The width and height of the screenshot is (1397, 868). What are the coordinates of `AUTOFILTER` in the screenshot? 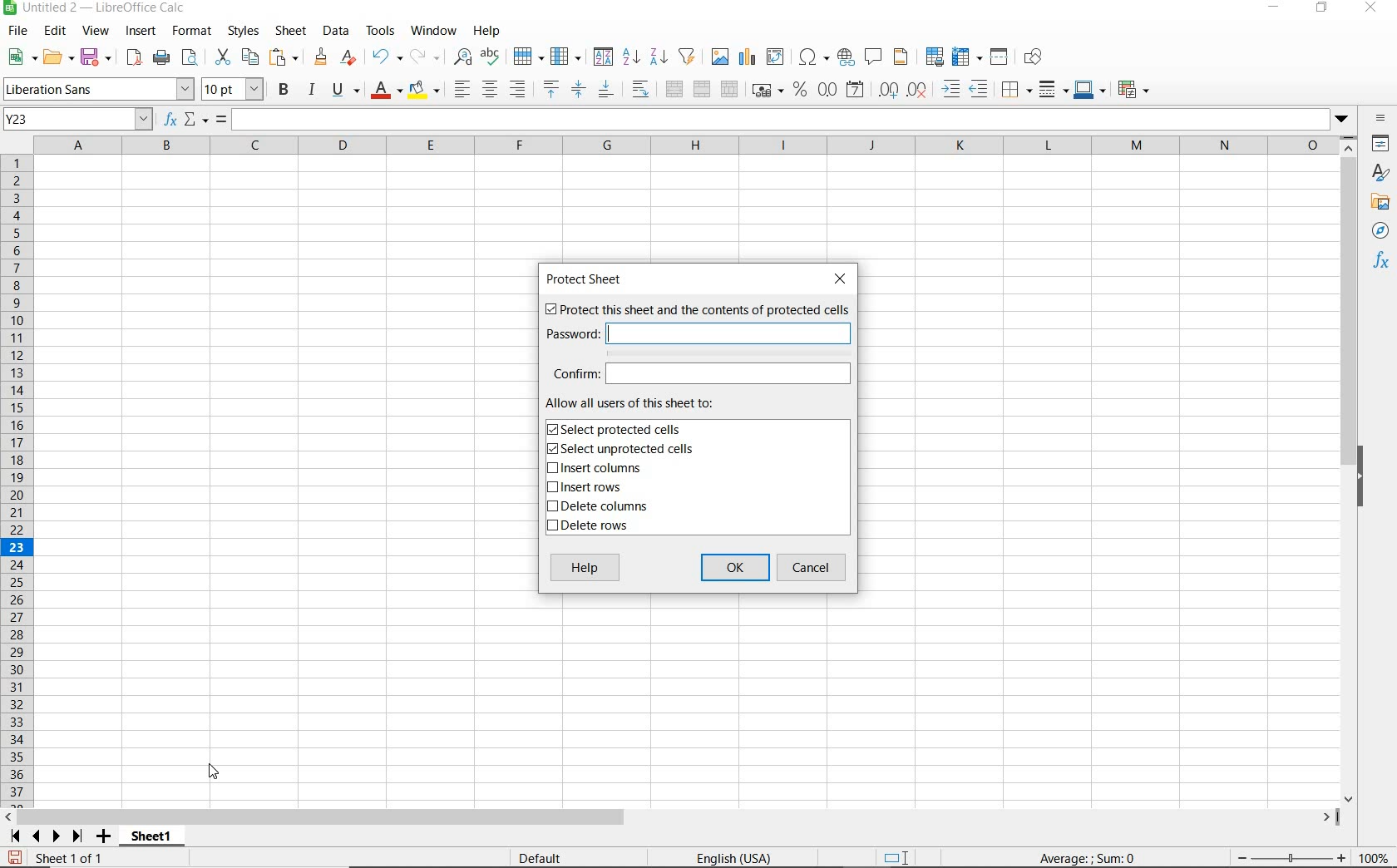 It's located at (688, 56).